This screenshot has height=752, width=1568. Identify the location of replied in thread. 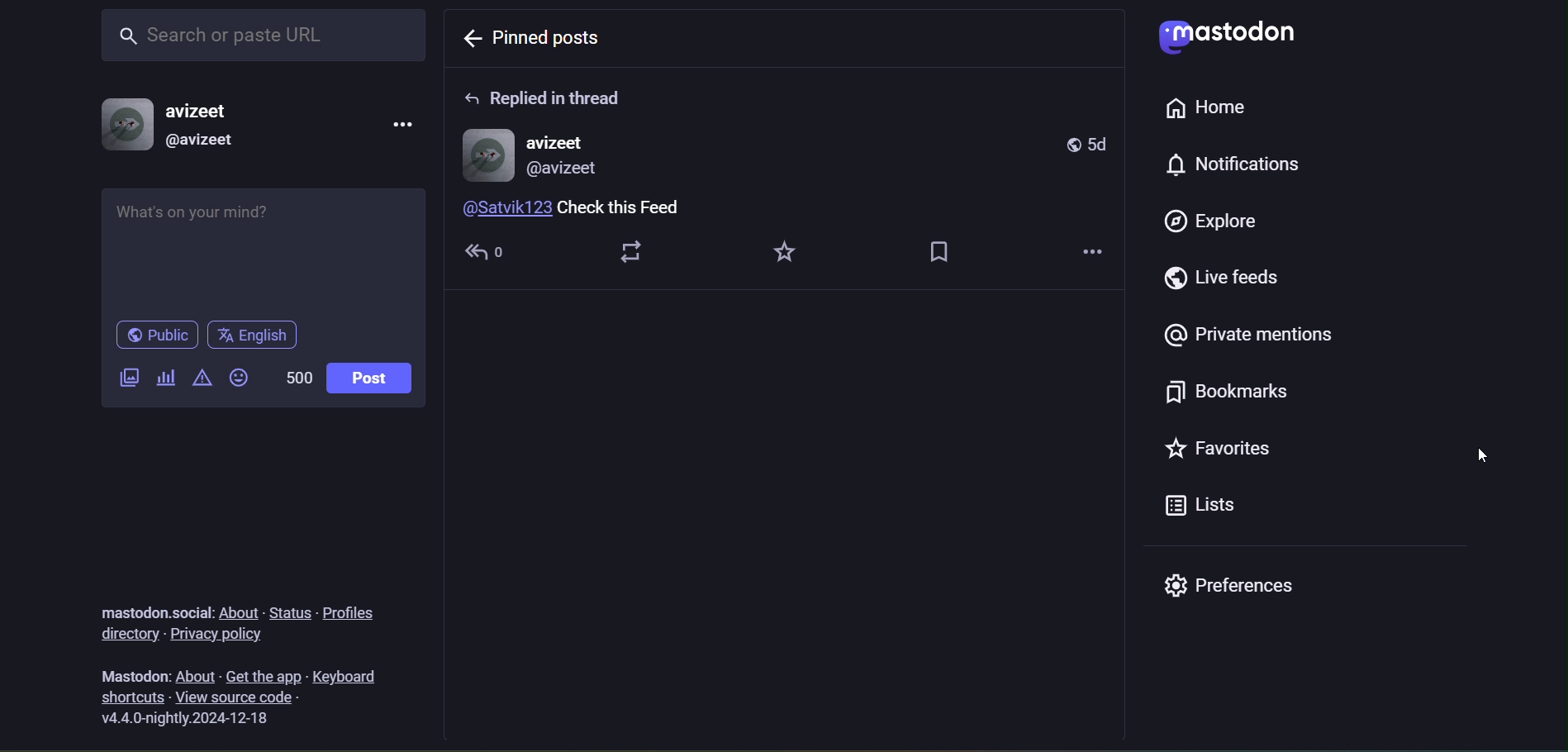
(551, 95).